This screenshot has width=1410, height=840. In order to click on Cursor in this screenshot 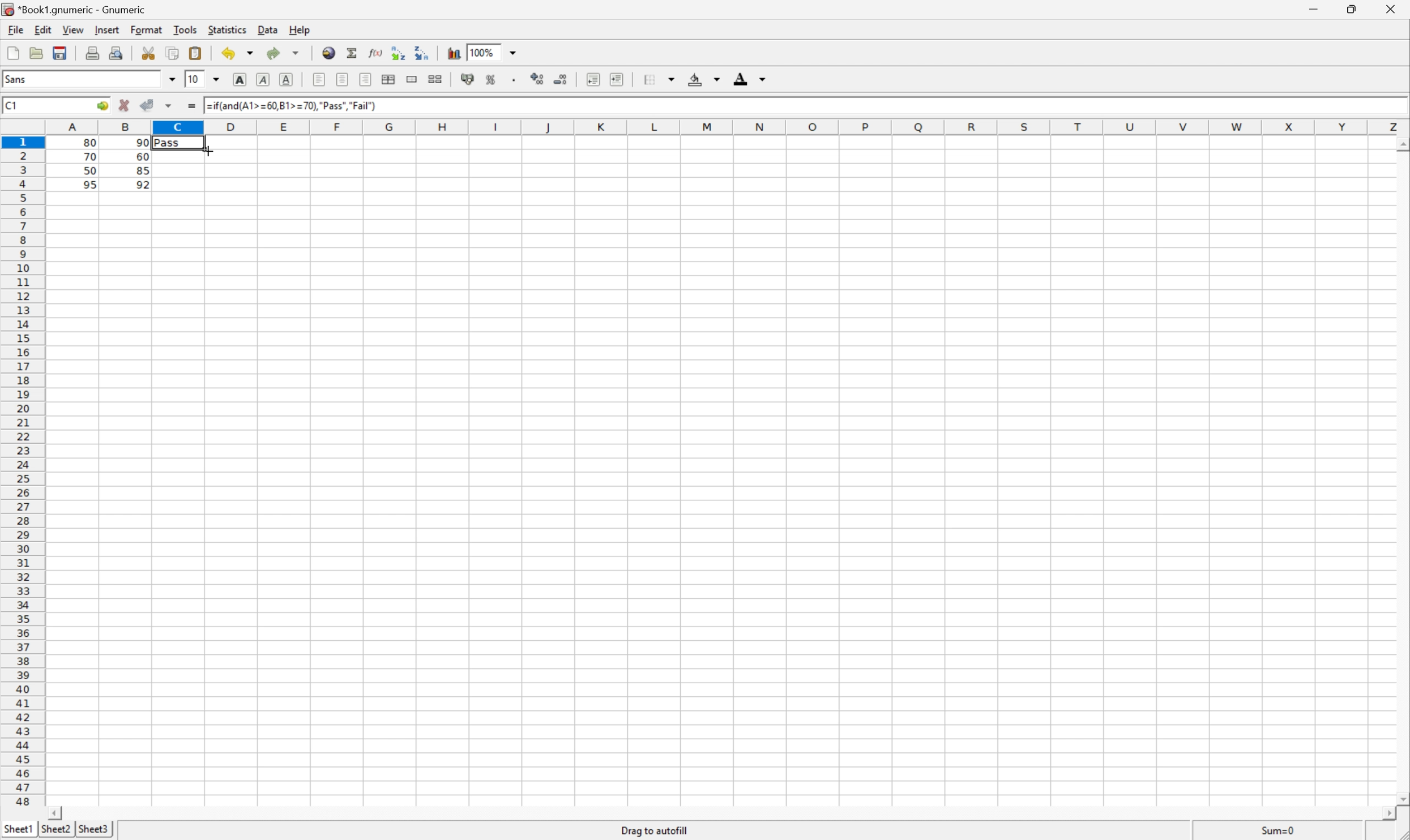, I will do `click(210, 151)`.